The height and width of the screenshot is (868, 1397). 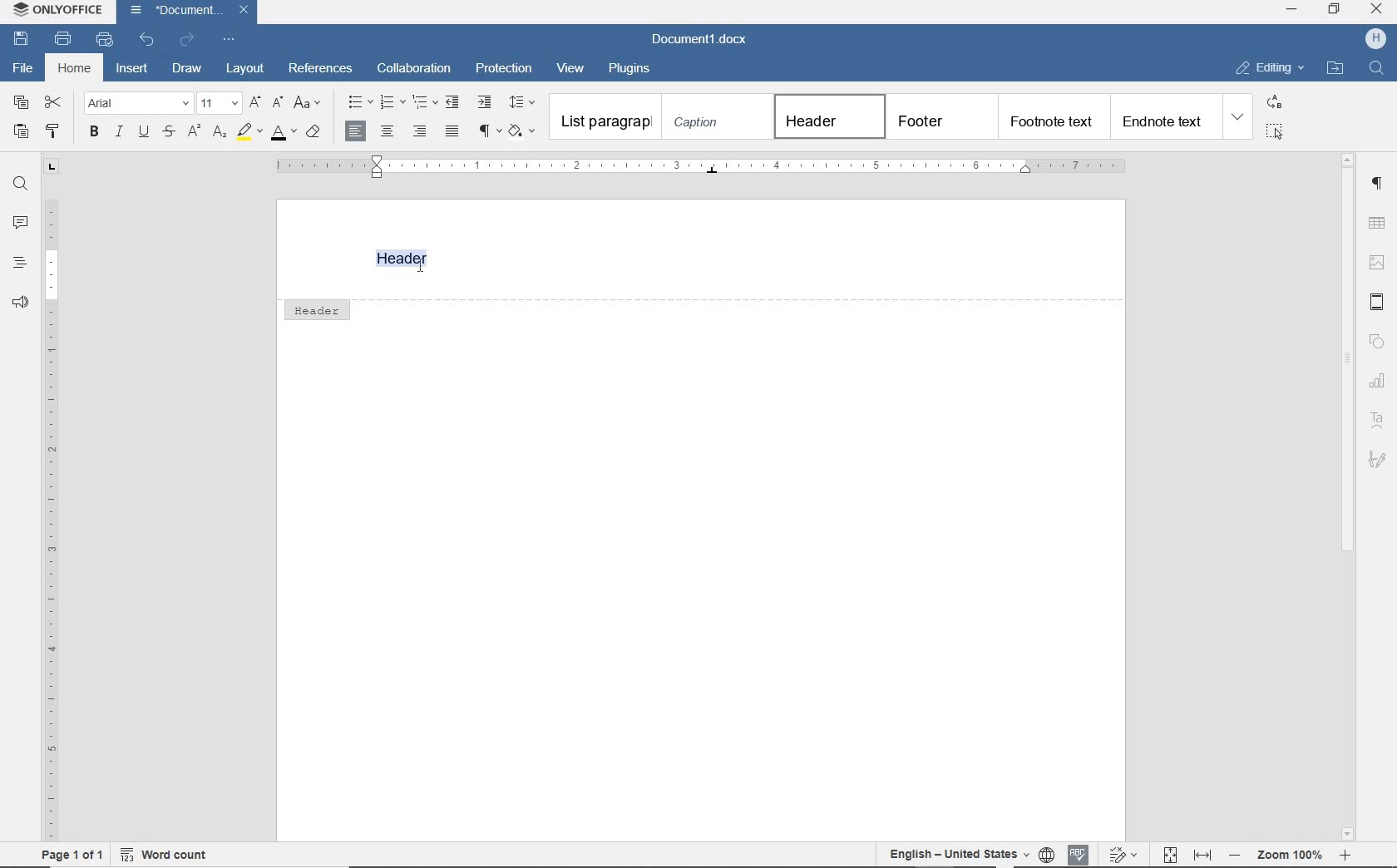 What do you see at coordinates (1378, 262) in the screenshot?
I see `IMAGE` at bounding box center [1378, 262].